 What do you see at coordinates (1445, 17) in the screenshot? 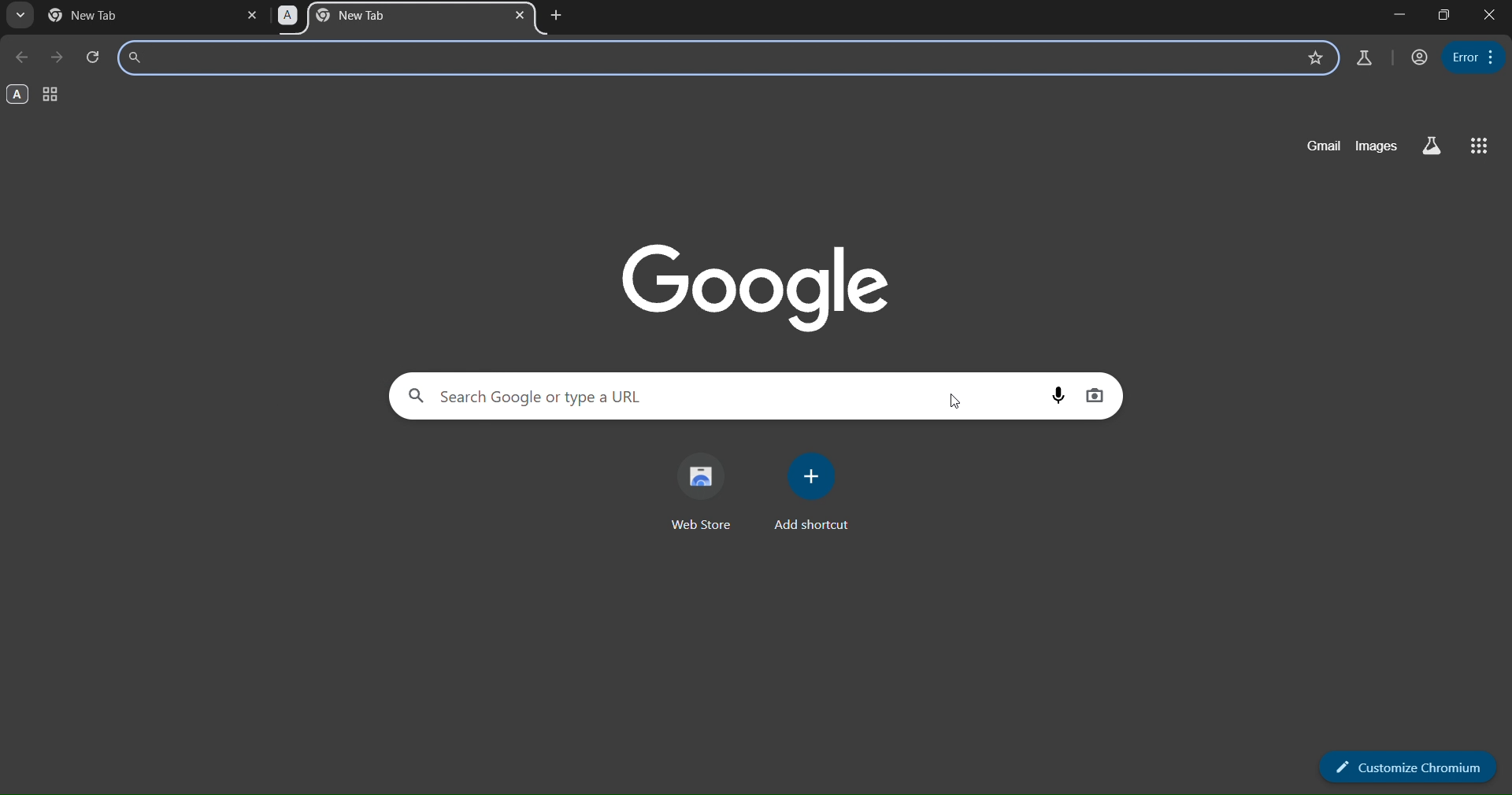
I see `restore down` at bounding box center [1445, 17].